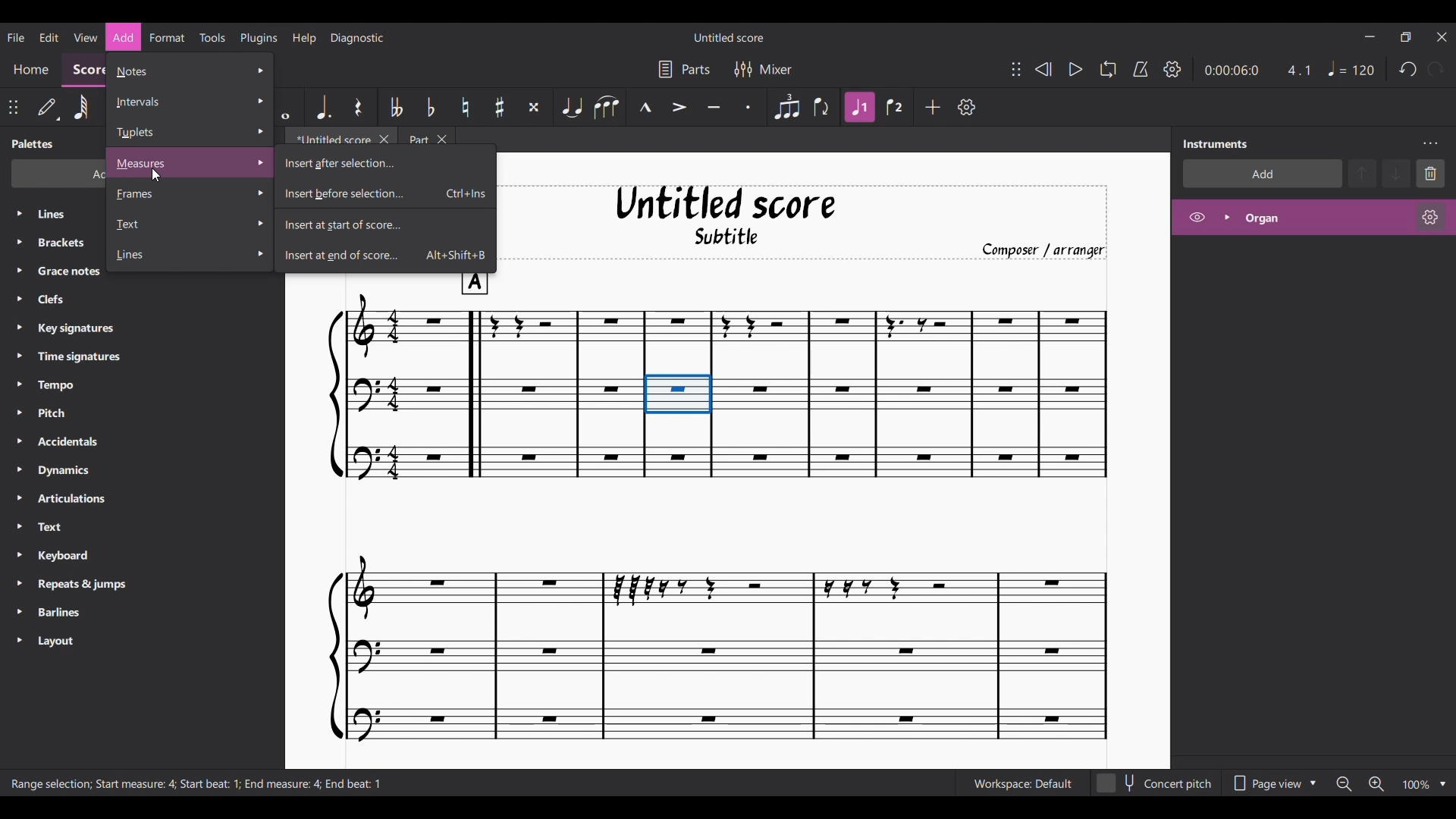 The height and width of the screenshot is (819, 1456). What do you see at coordinates (385, 193) in the screenshot?
I see `Insert before selection` at bounding box center [385, 193].